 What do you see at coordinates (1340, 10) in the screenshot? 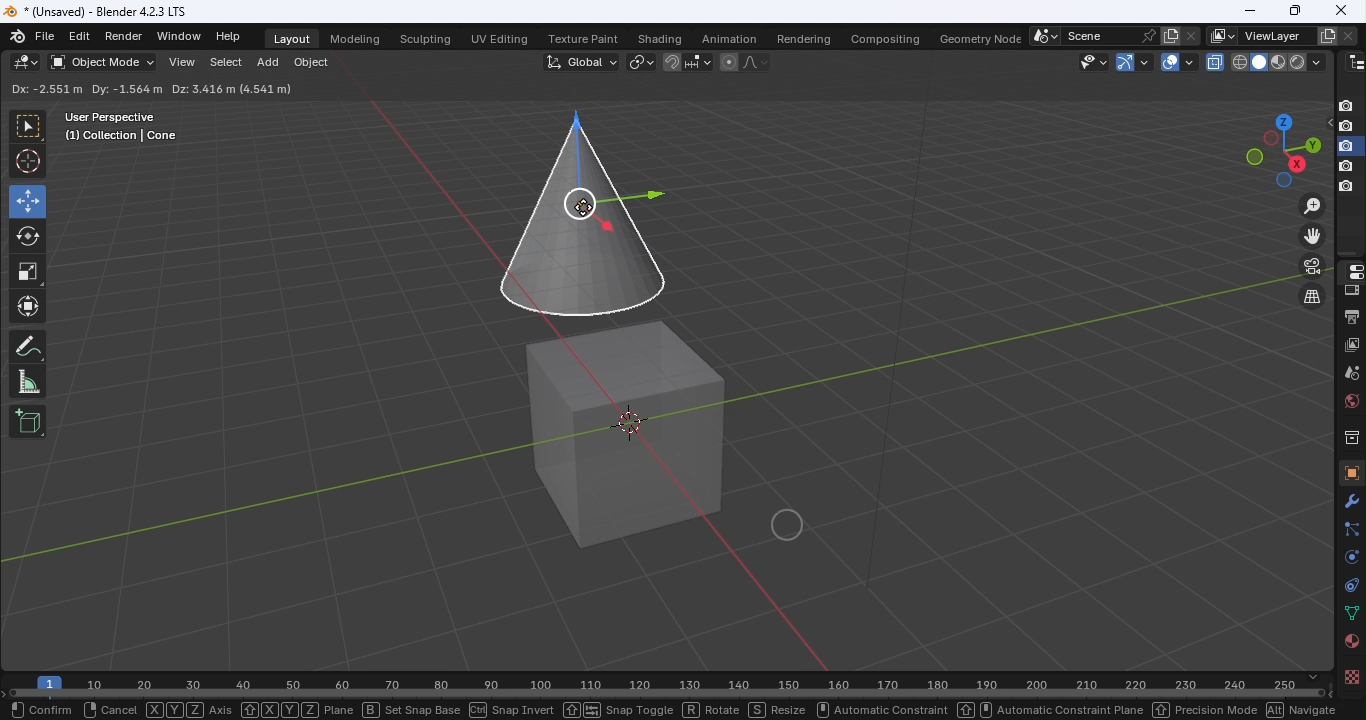
I see `close` at bounding box center [1340, 10].